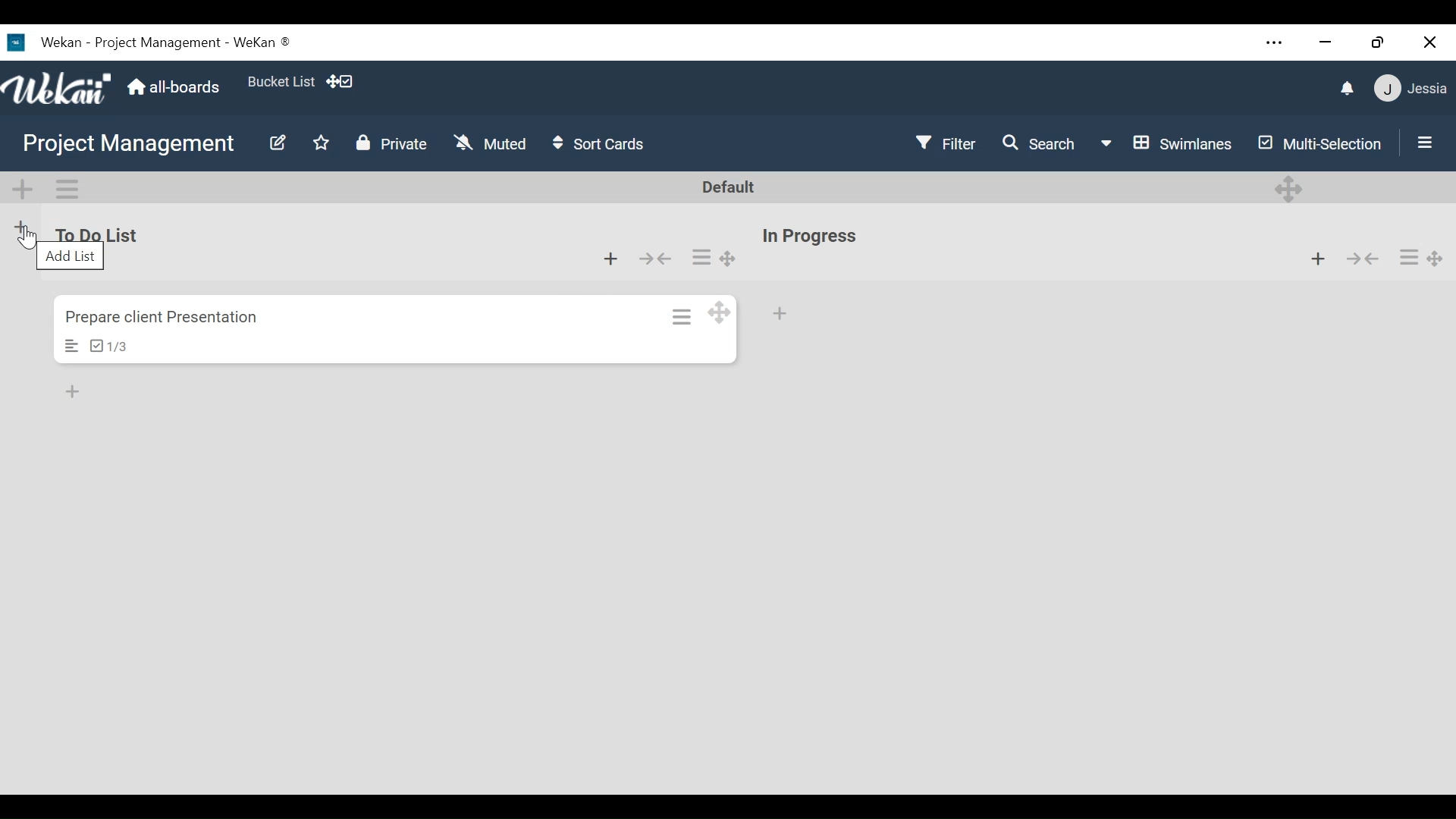 Image resolution: width=1456 pixels, height=819 pixels. Describe the element at coordinates (99, 234) in the screenshot. I see `List Title` at that location.